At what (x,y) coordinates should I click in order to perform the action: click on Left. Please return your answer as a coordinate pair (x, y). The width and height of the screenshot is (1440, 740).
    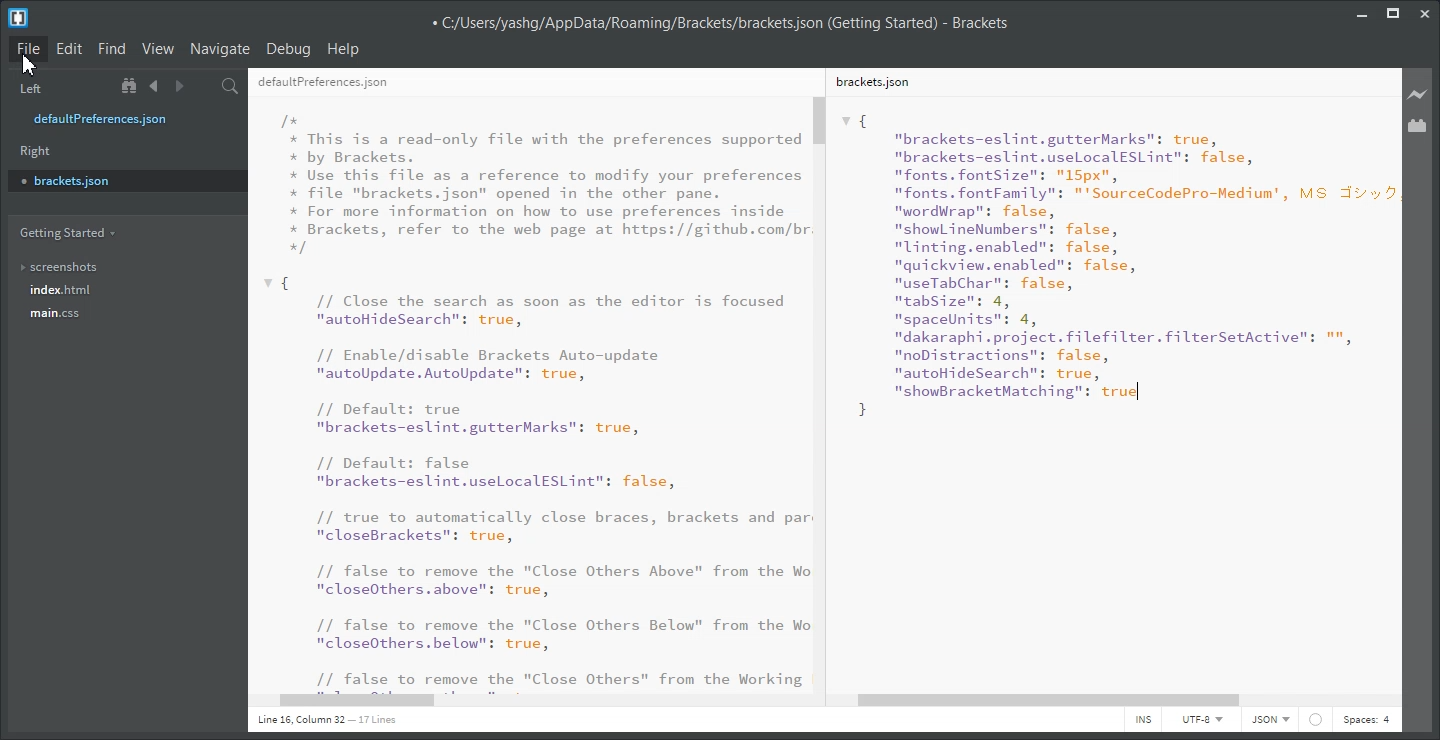
    Looking at the image, I should click on (28, 87).